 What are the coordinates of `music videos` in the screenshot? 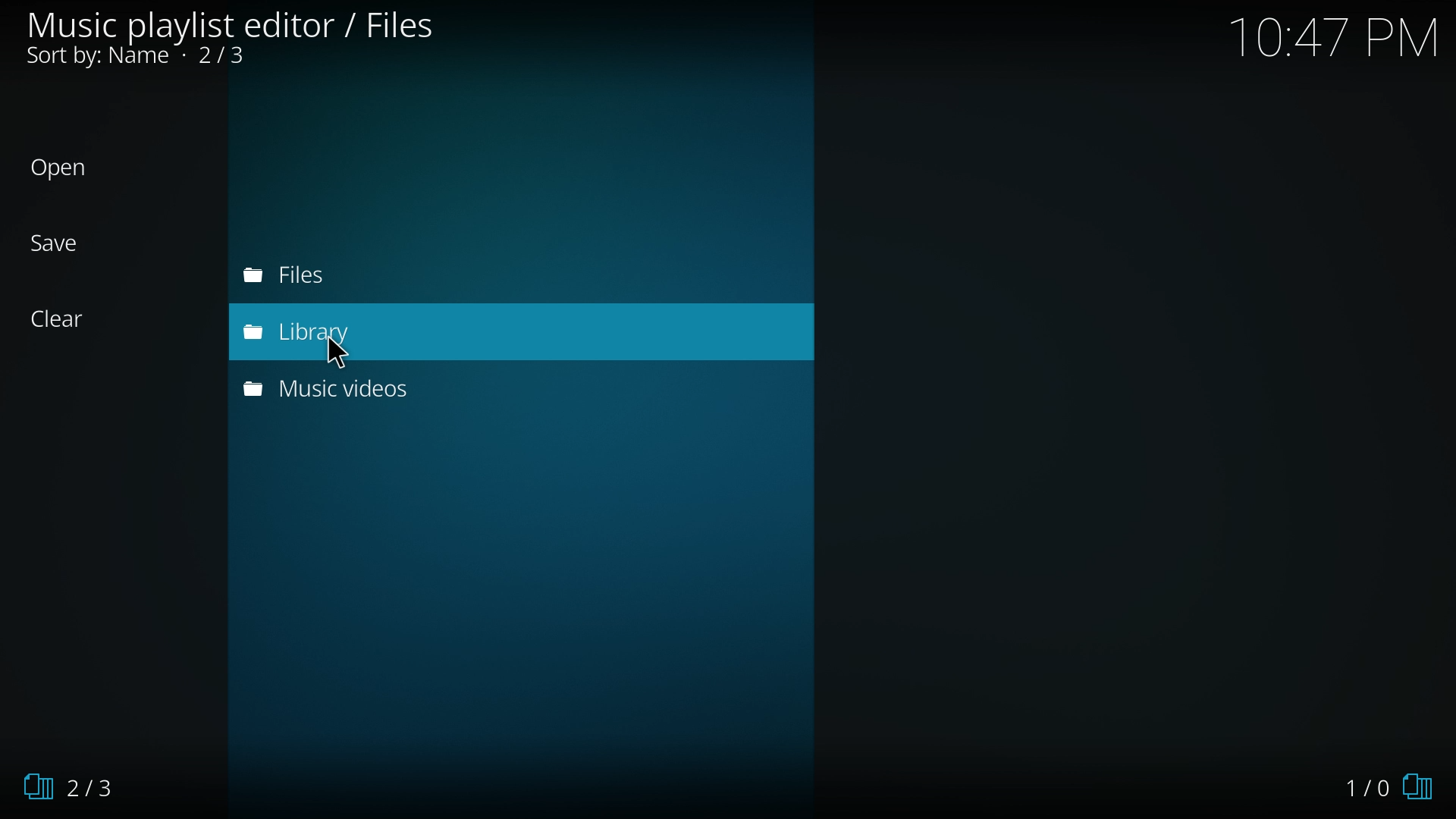 It's located at (340, 396).